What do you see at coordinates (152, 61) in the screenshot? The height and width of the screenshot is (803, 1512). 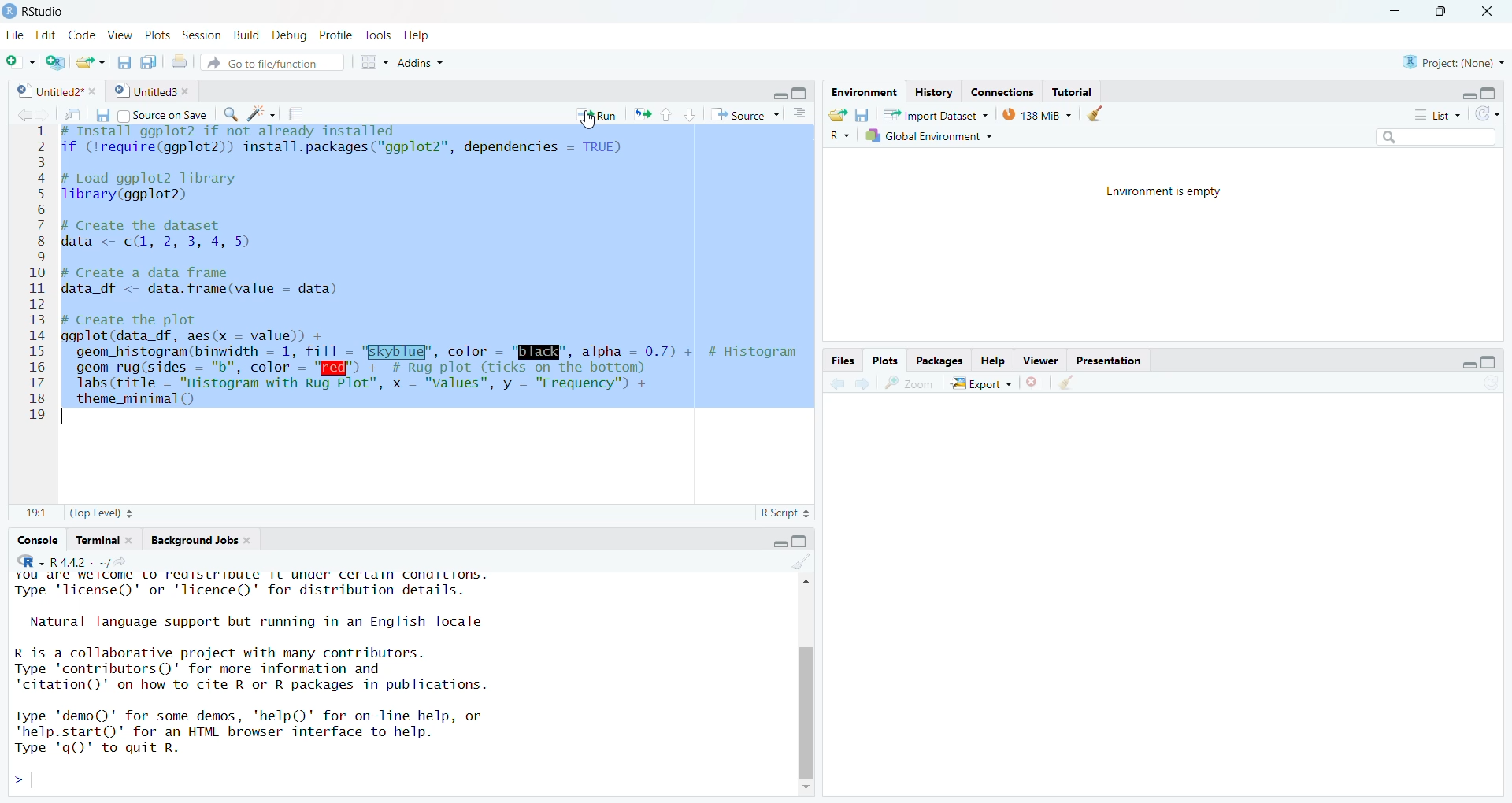 I see `Save all documents` at bounding box center [152, 61].